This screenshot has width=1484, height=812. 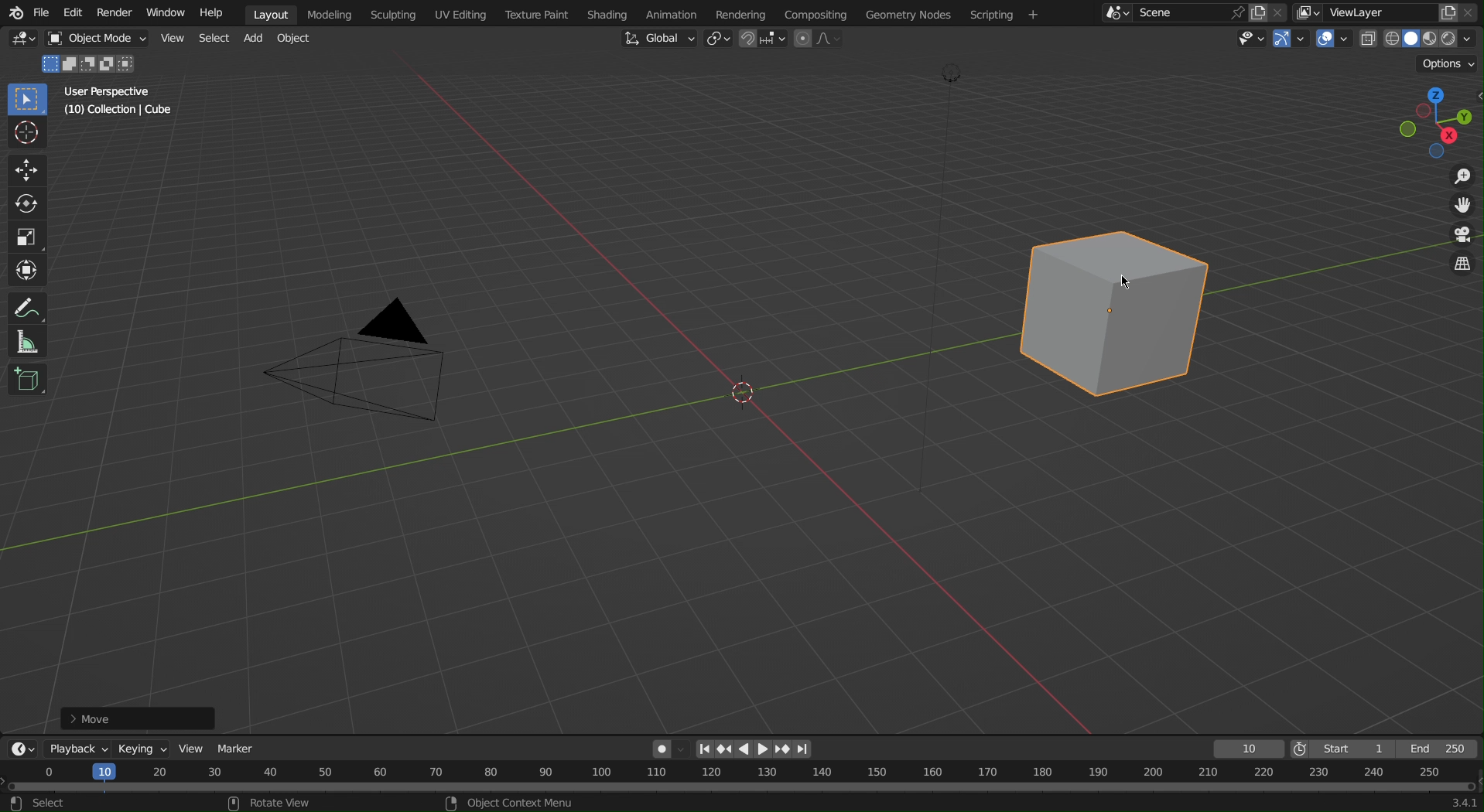 I want to click on Layout, so click(x=274, y=12).